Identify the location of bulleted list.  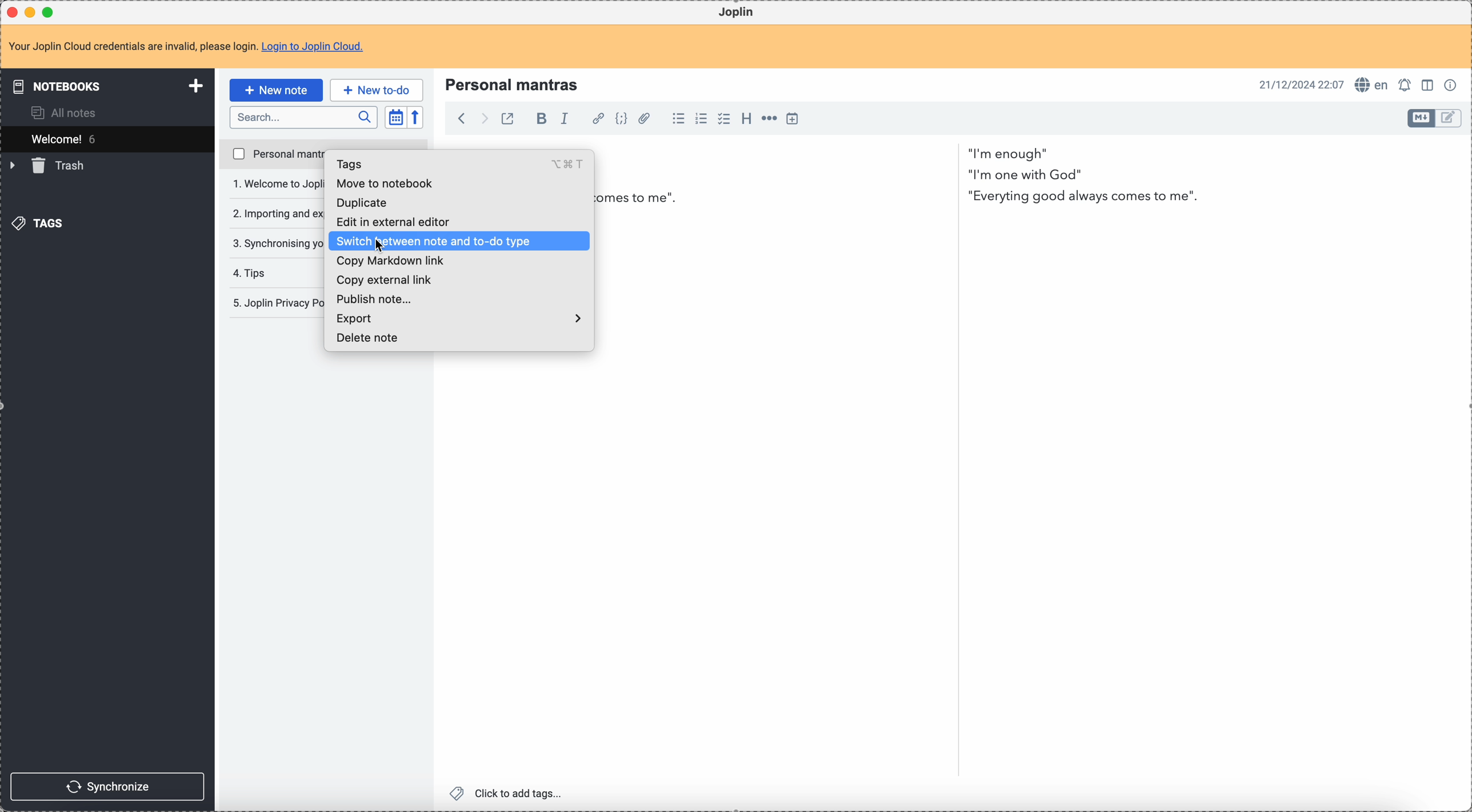
(675, 118).